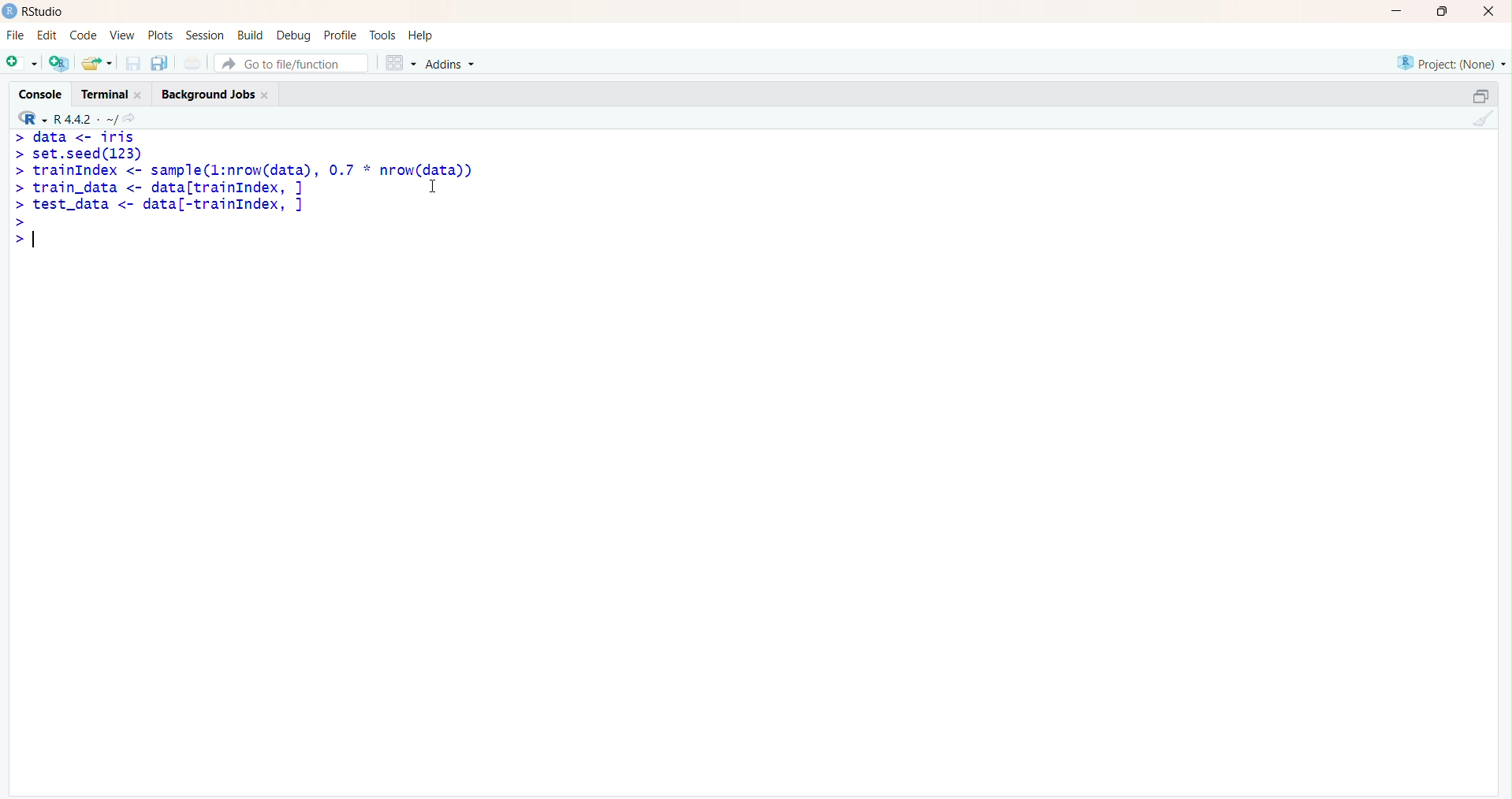  Describe the element at coordinates (382, 34) in the screenshot. I see `Tools` at that location.